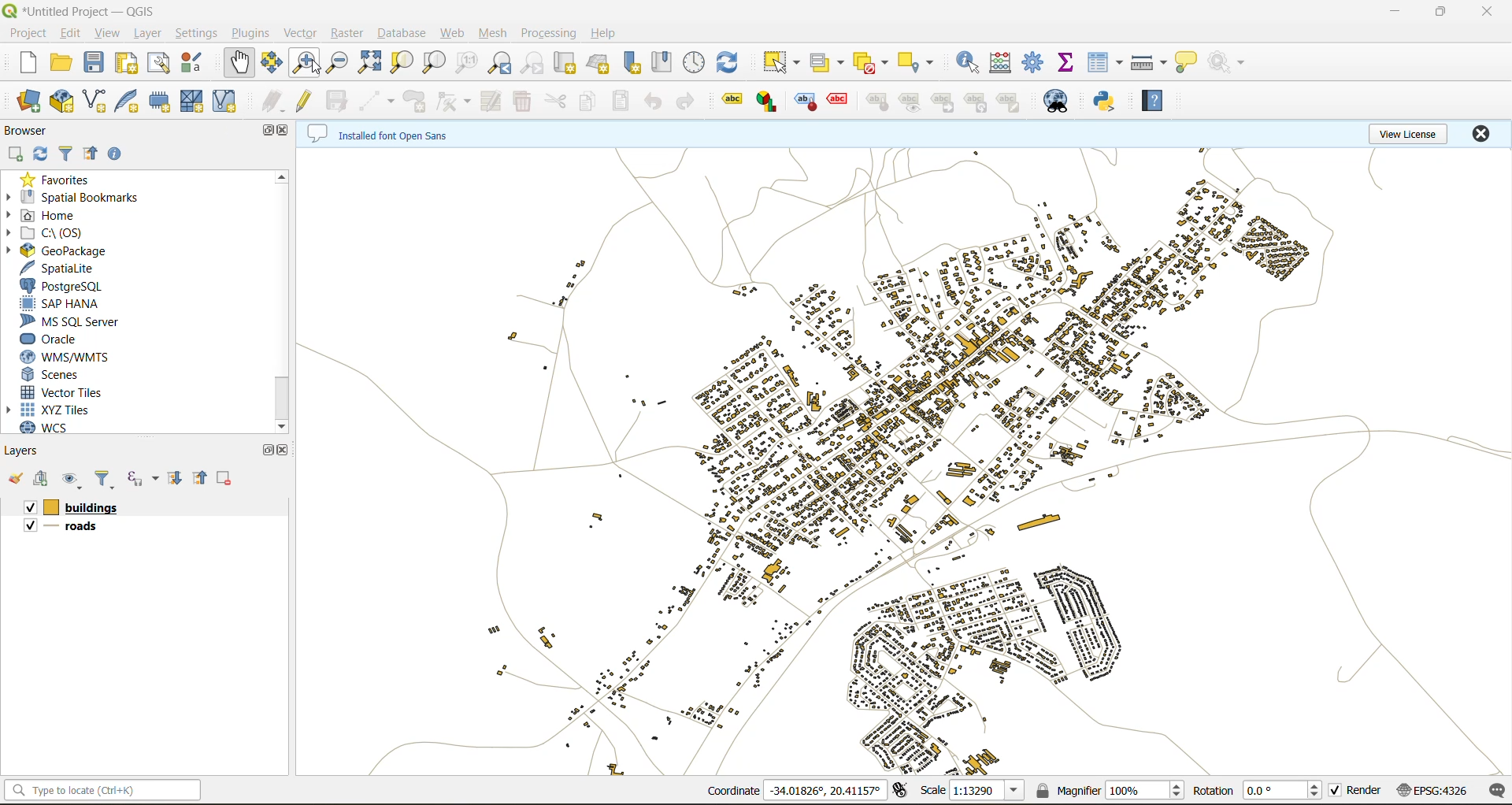 This screenshot has width=1512, height=805. What do you see at coordinates (1102, 61) in the screenshot?
I see `attributes table` at bounding box center [1102, 61].